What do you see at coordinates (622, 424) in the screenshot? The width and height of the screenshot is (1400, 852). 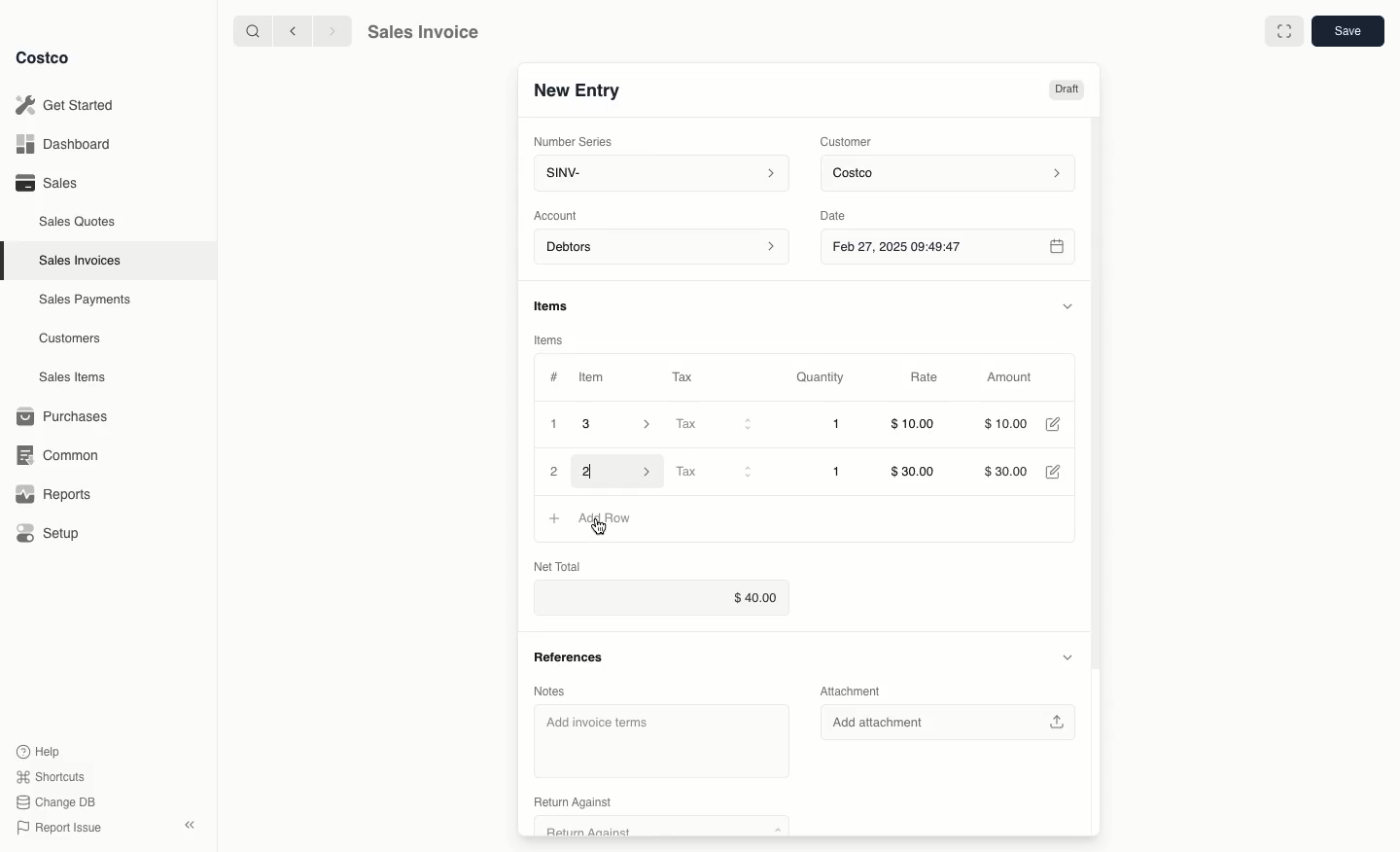 I see `3` at bounding box center [622, 424].